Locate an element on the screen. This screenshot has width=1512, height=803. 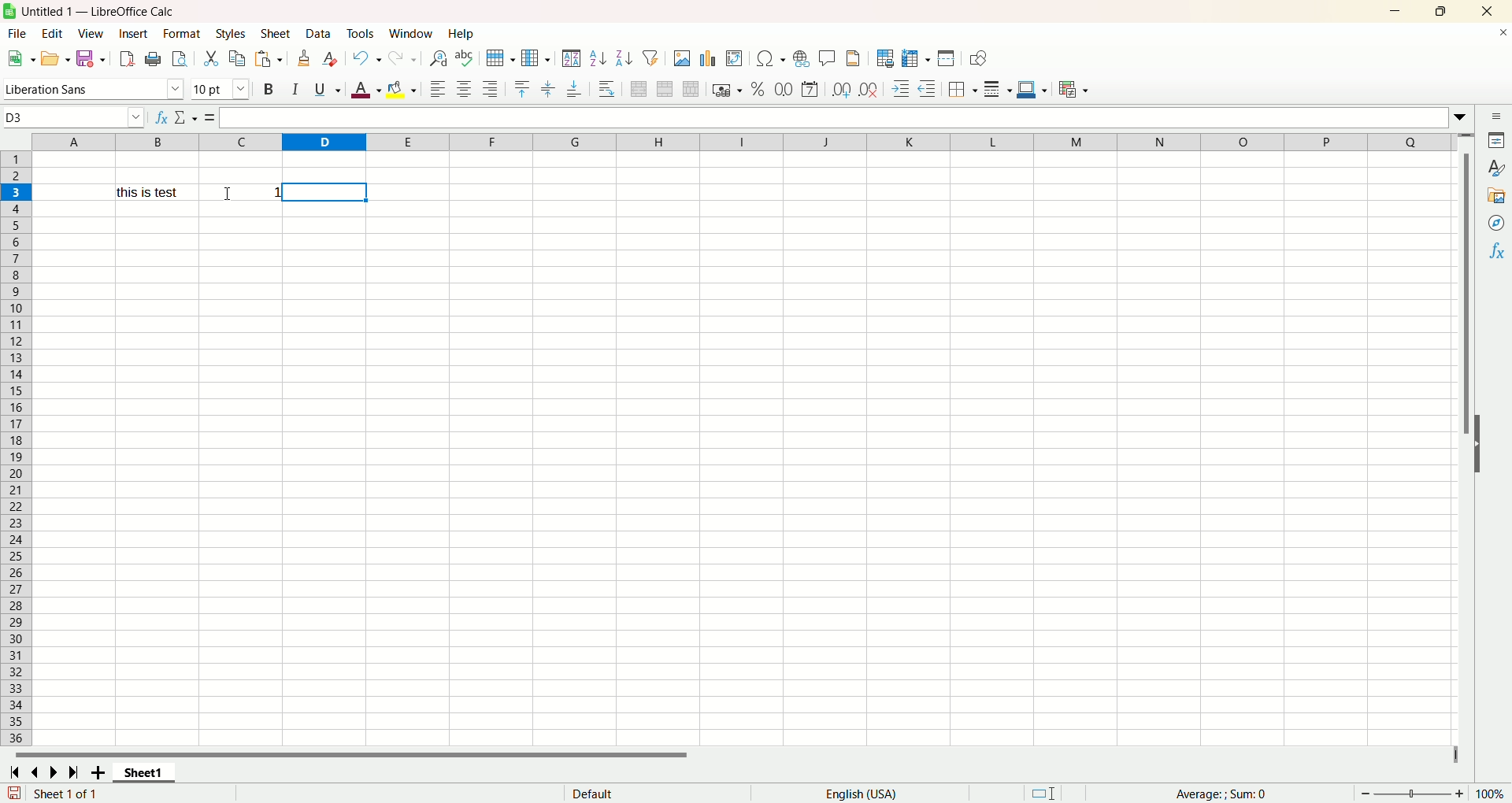
align bottom is located at coordinates (575, 89).